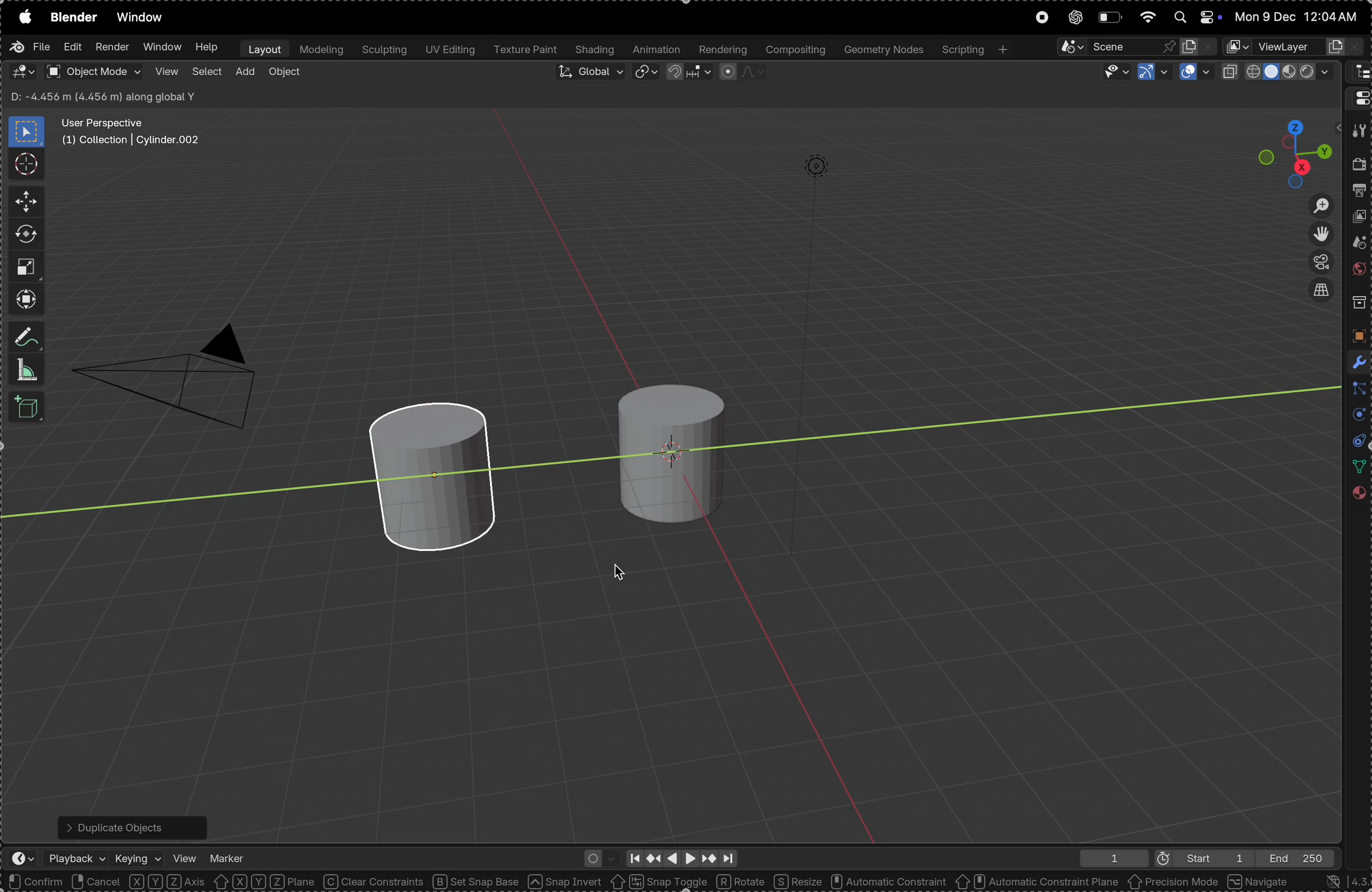  I want to click on collections, so click(1358, 303).